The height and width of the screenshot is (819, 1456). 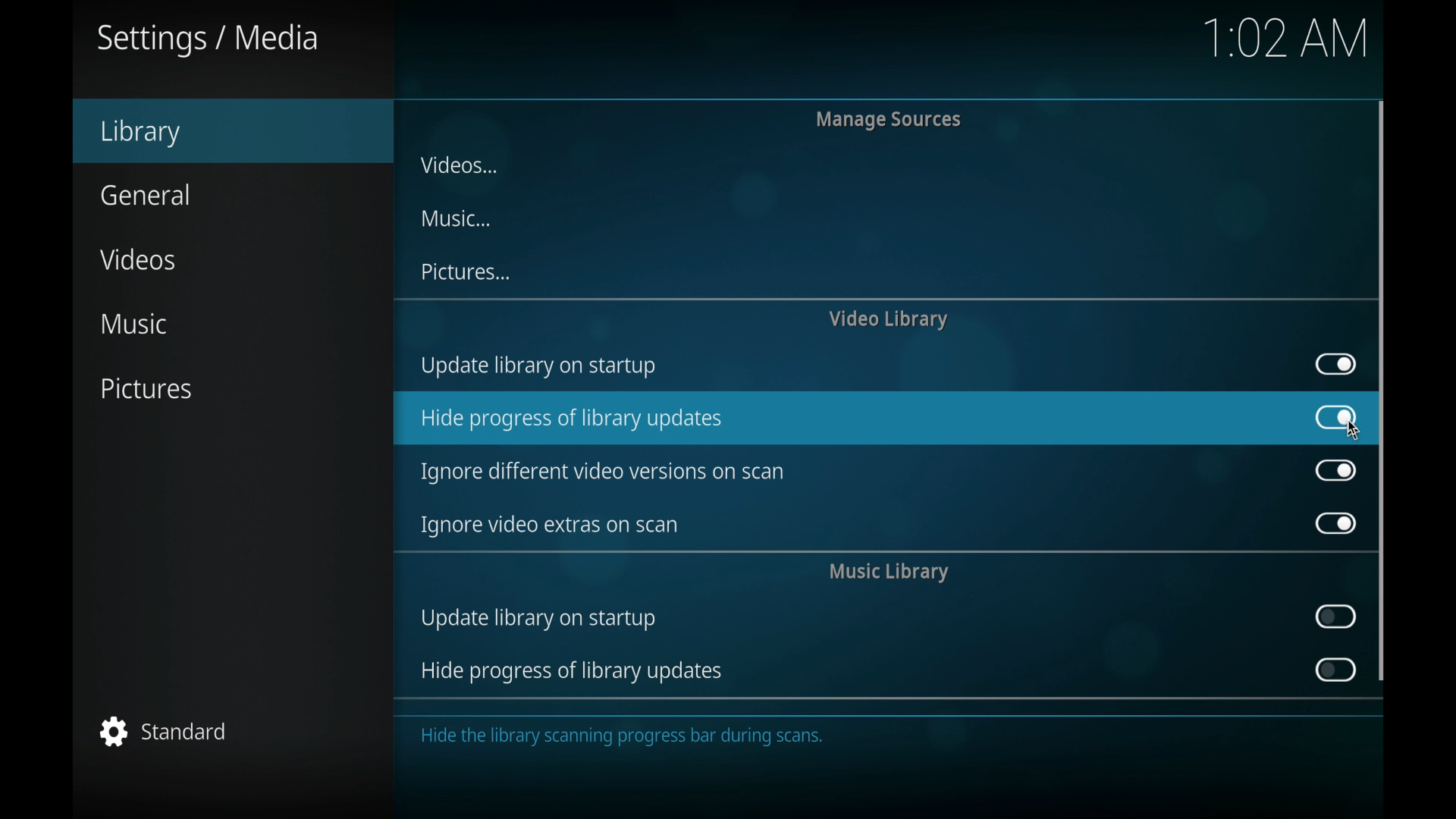 What do you see at coordinates (464, 272) in the screenshot?
I see `pictures` at bounding box center [464, 272].